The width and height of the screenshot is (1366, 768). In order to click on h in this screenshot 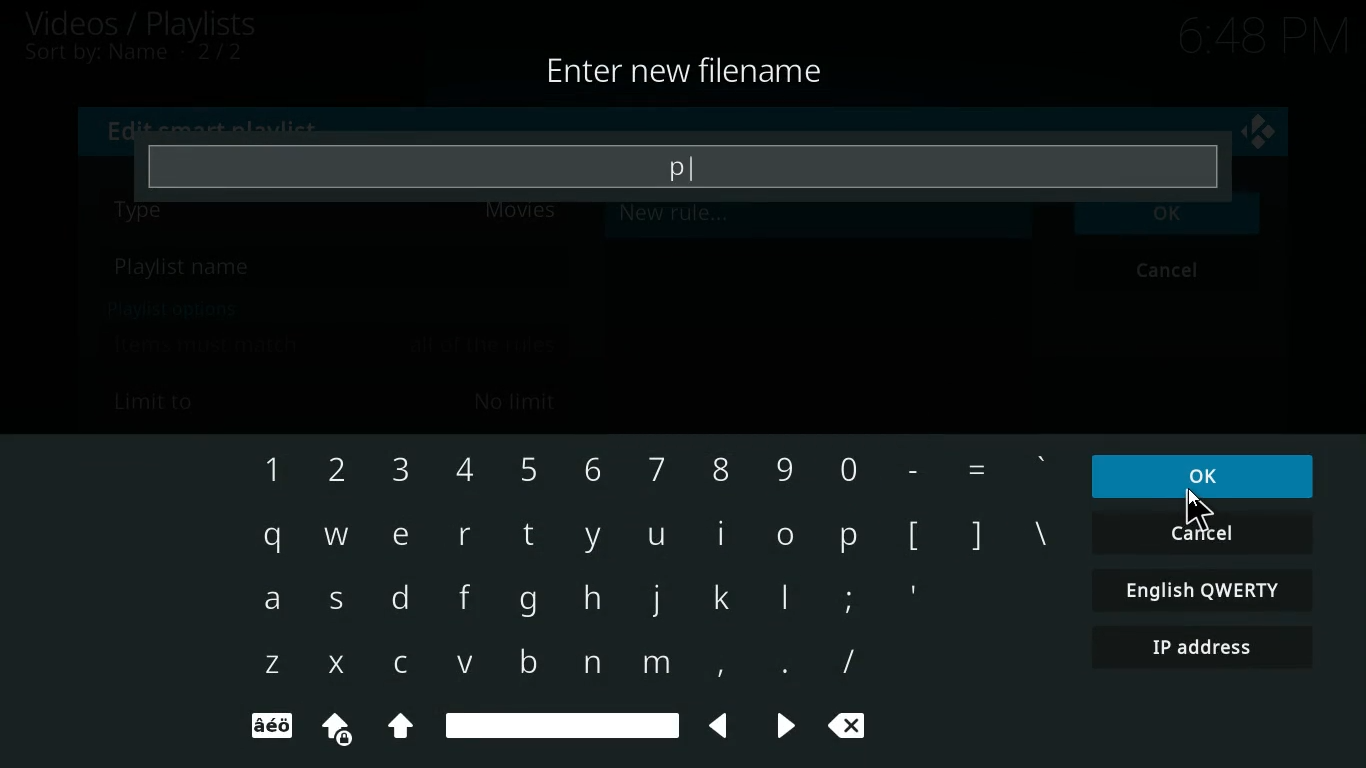, I will do `click(591, 600)`.